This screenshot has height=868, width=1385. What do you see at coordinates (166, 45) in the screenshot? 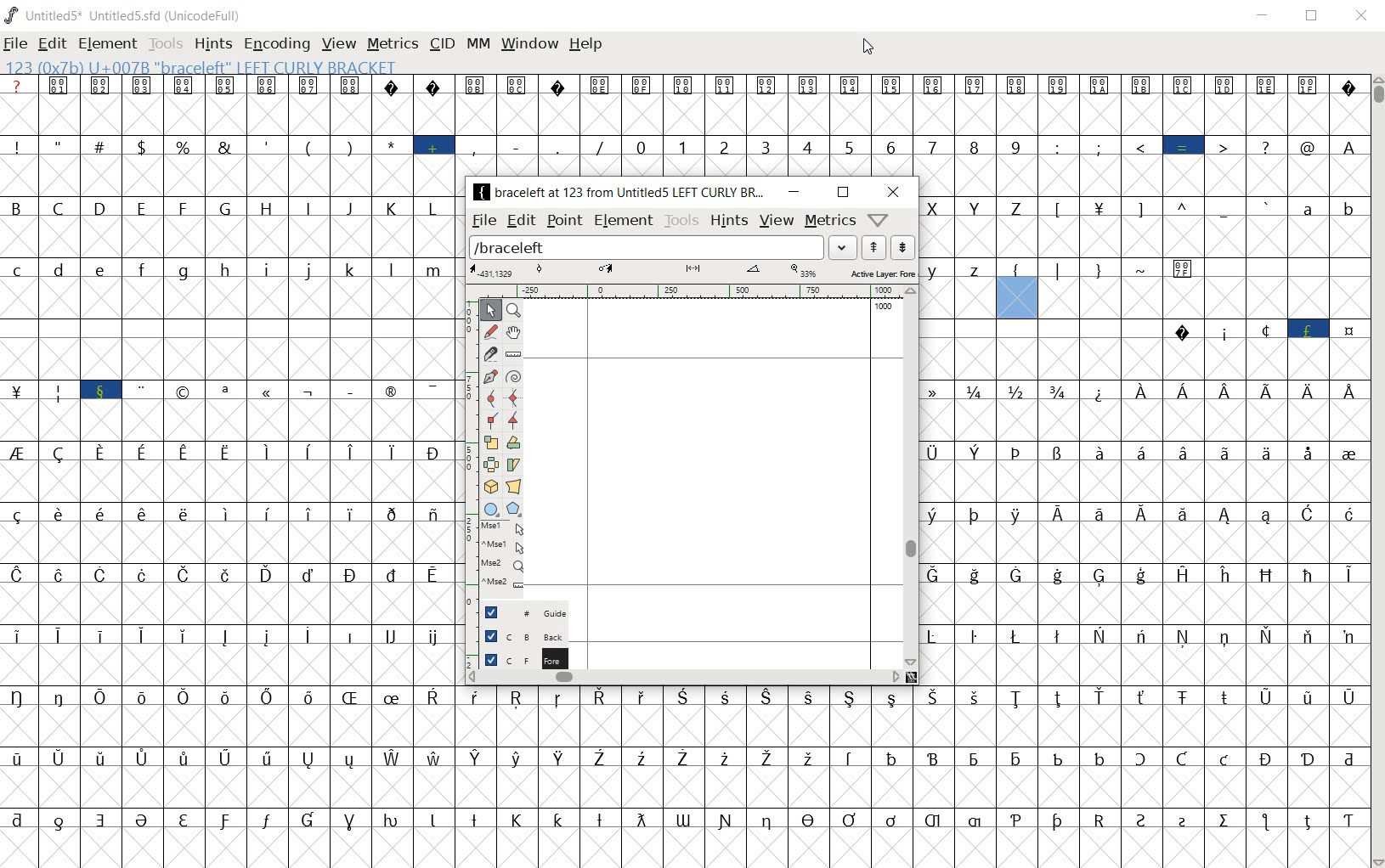
I see `tools` at bounding box center [166, 45].